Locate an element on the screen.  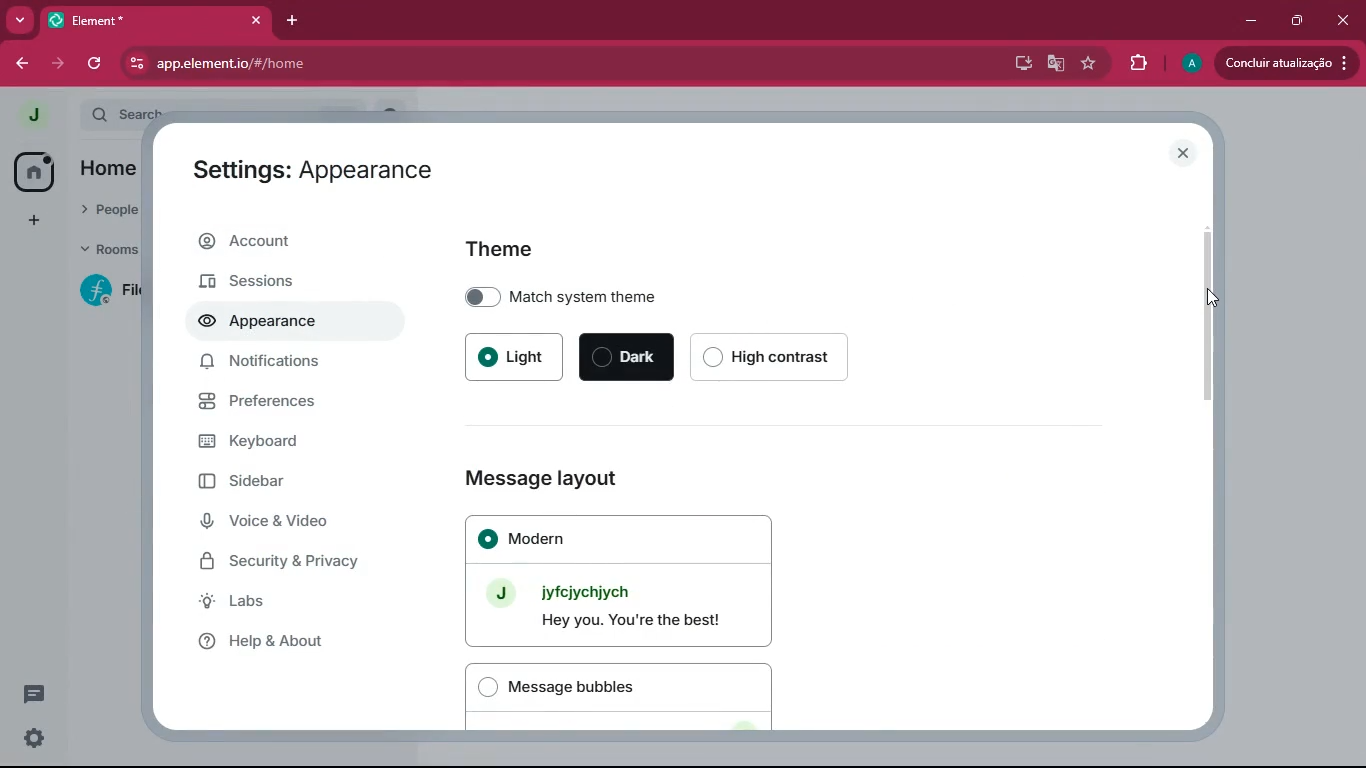
theme is located at coordinates (510, 251).